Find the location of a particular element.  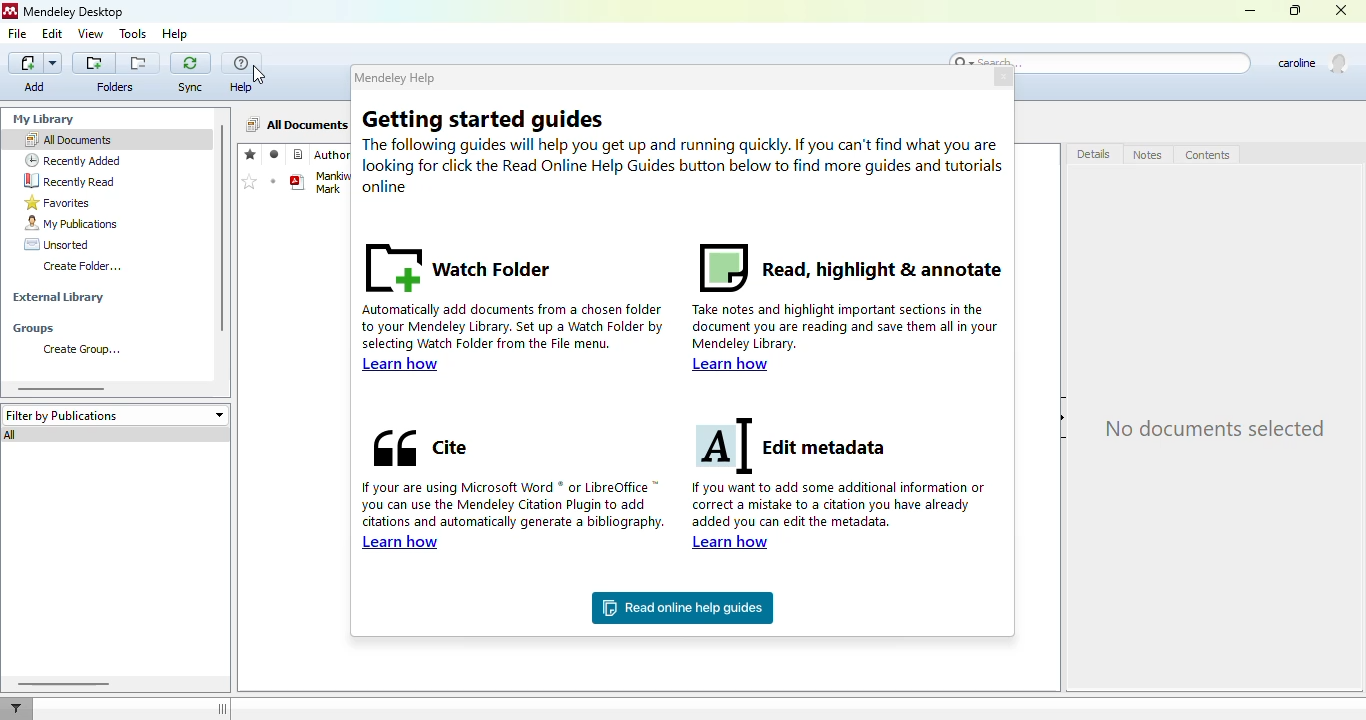

watch folder is located at coordinates (458, 267).